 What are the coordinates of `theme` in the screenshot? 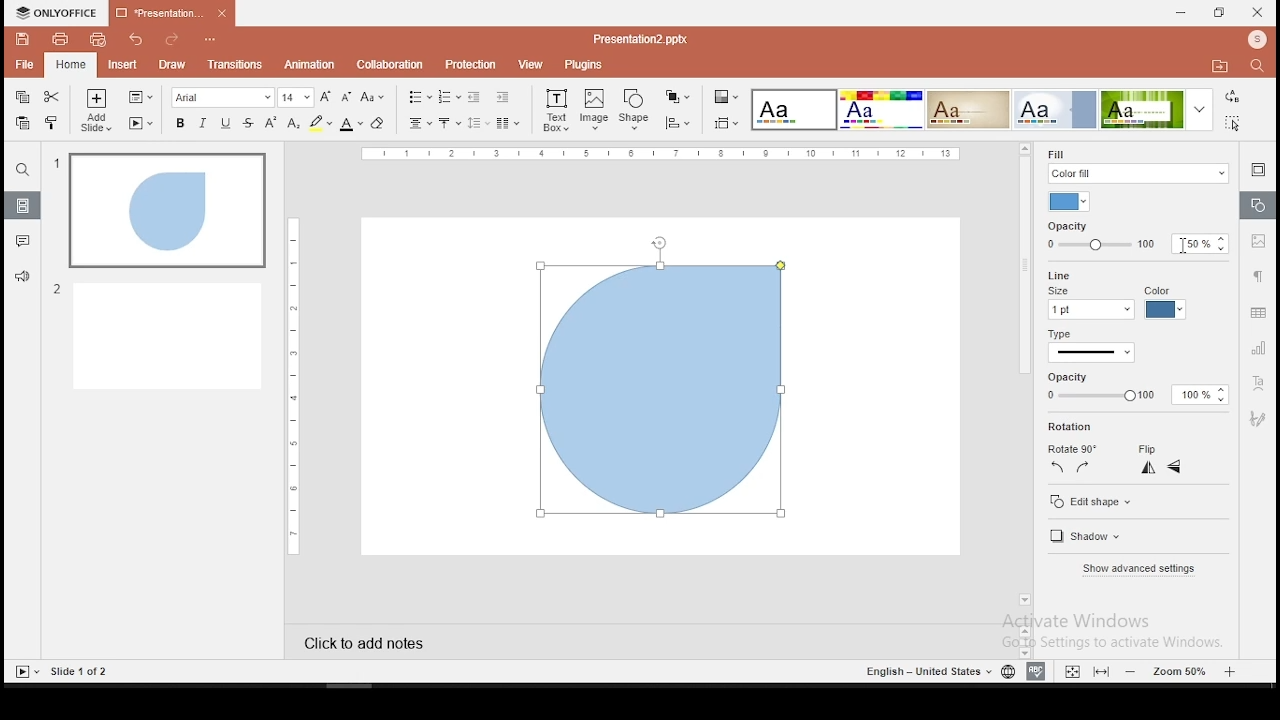 It's located at (1056, 109).